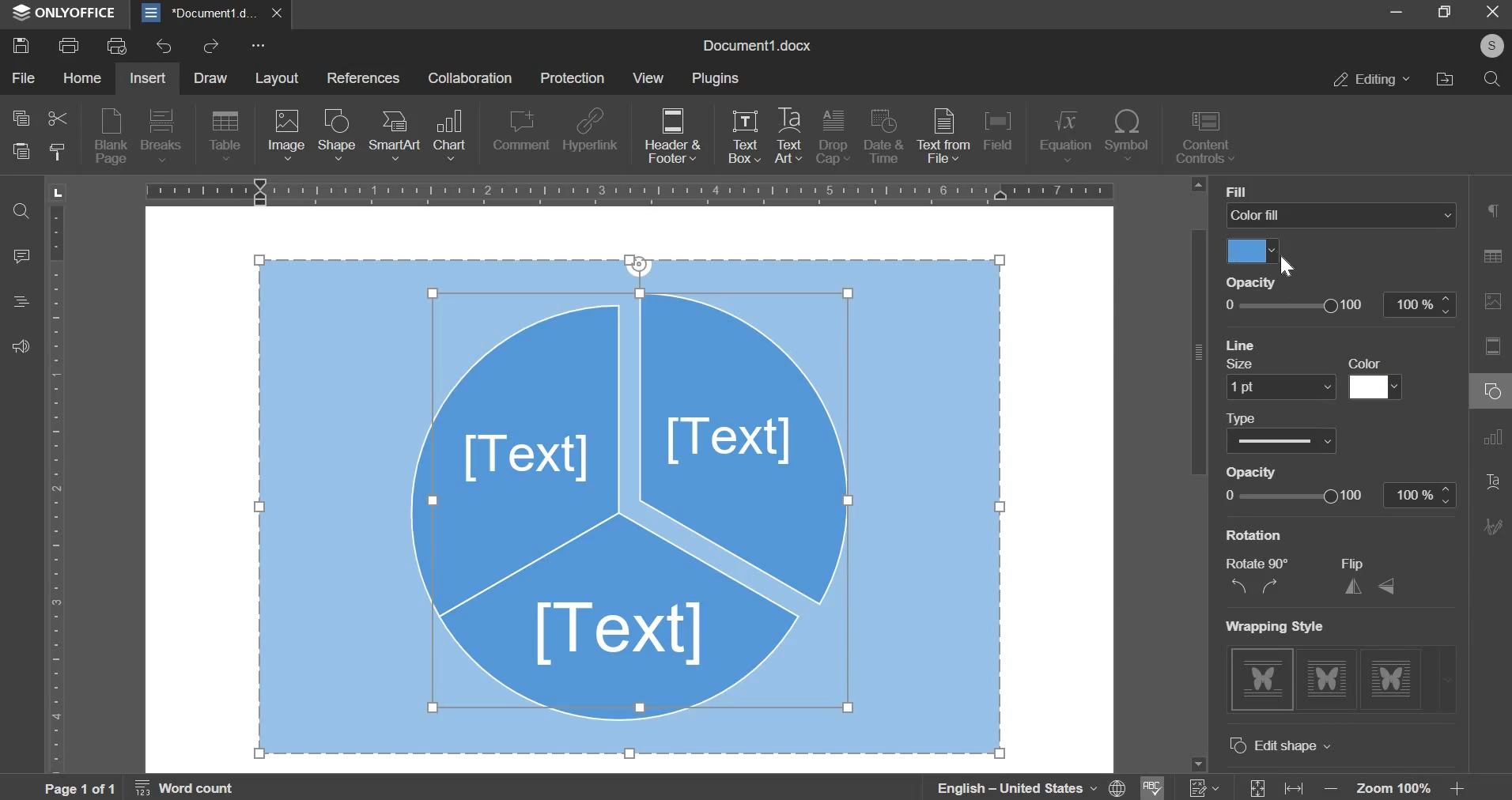 This screenshot has width=1512, height=800. Describe the element at coordinates (58, 121) in the screenshot. I see `cut` at that location.